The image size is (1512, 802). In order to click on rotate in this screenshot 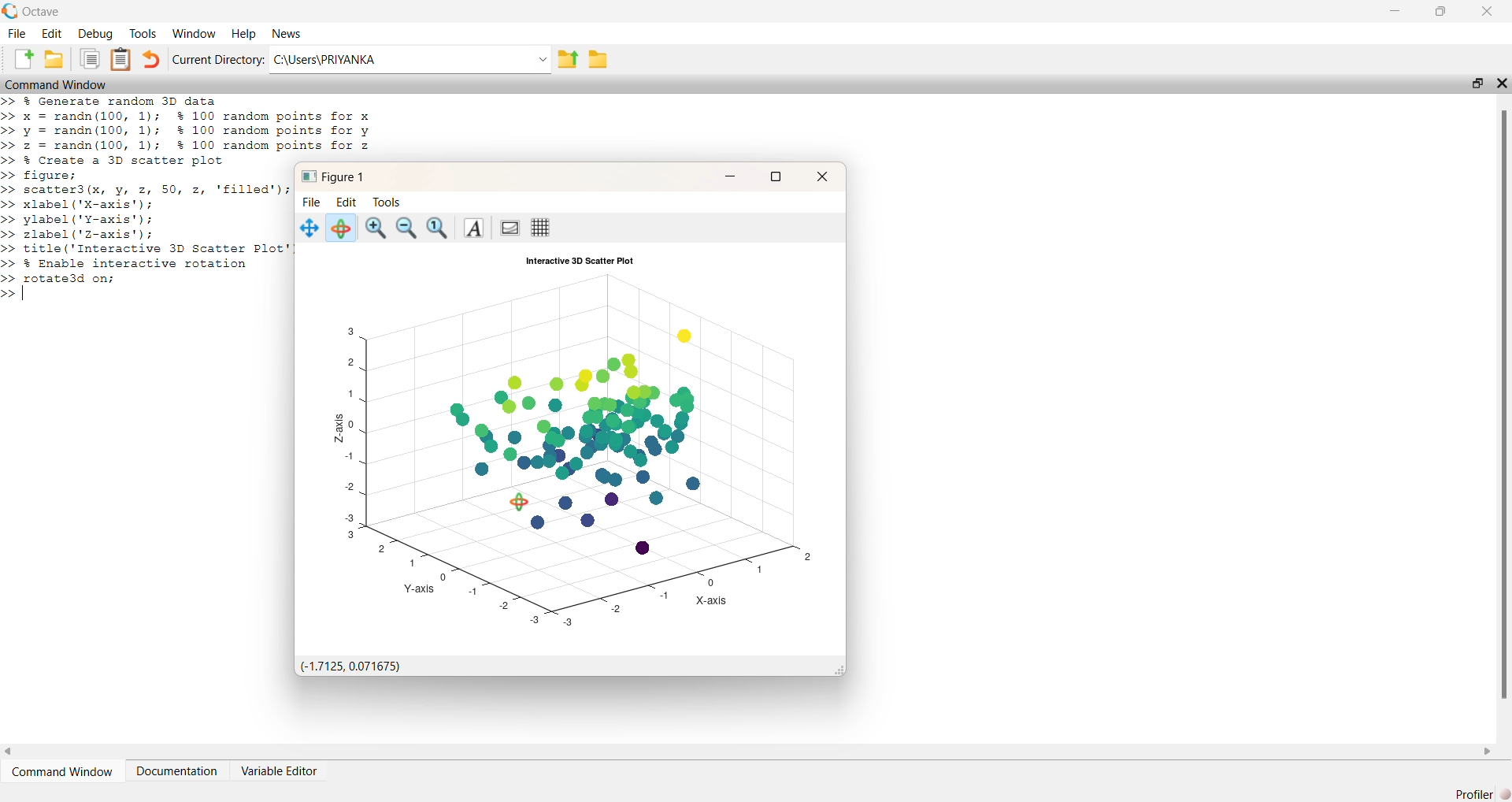, I will do `click(339, 228)`.